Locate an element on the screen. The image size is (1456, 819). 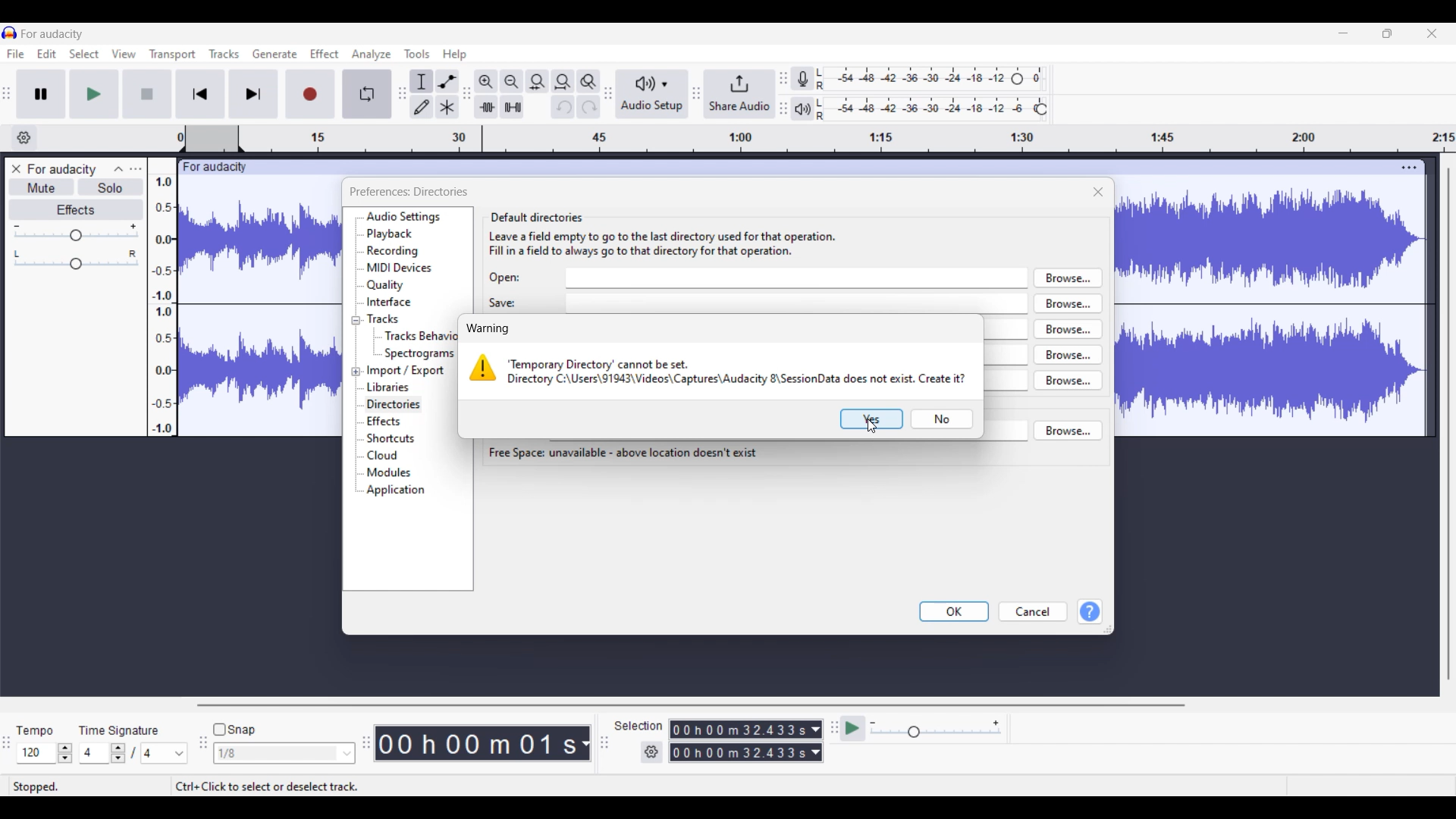
Warning is located at coordinates (490, 328).